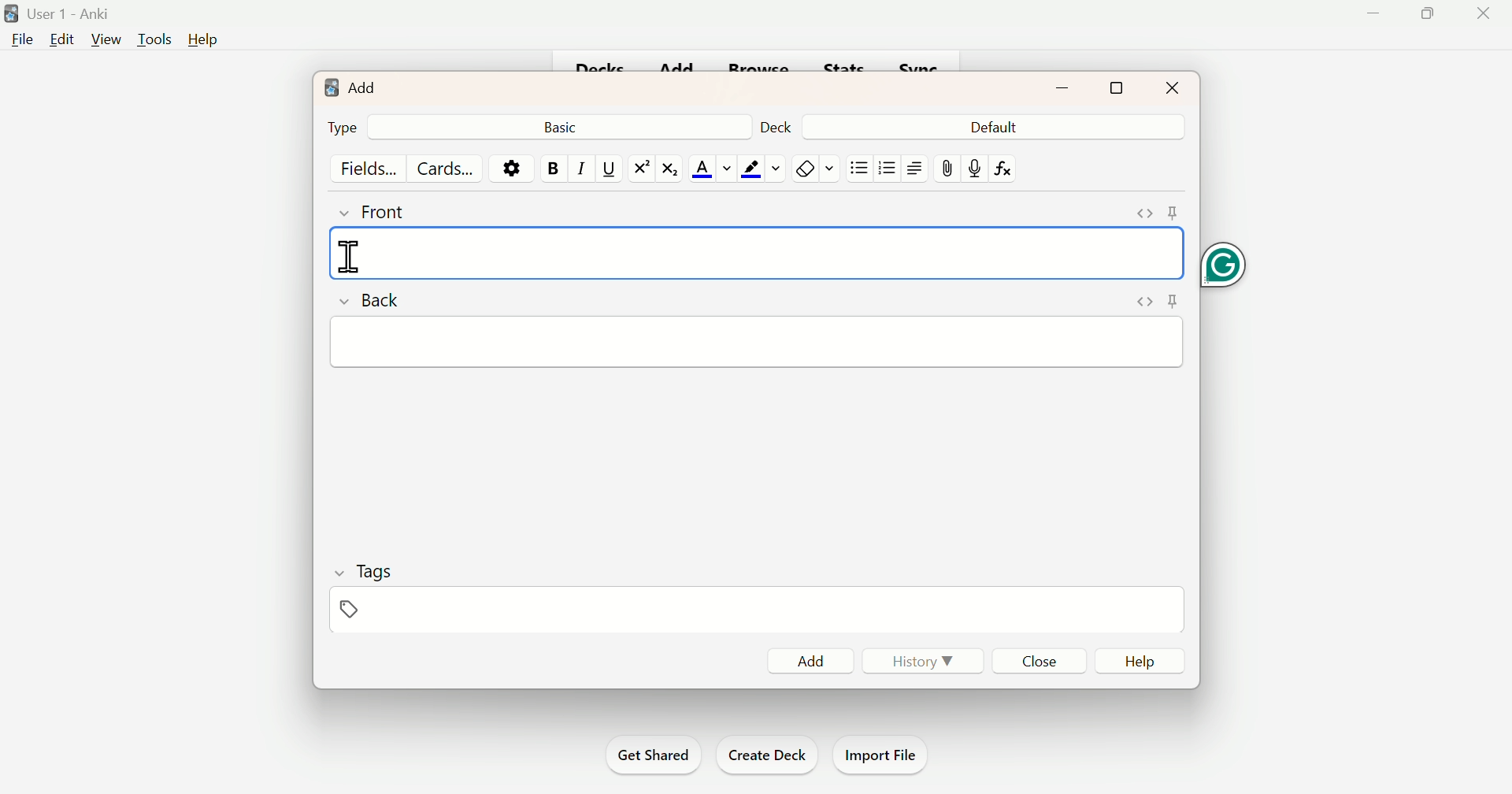 This screenshot has width=1512, height=794. Describe the element at coordinates (973, 165) in the screenshot. I see `Mic` at that location.